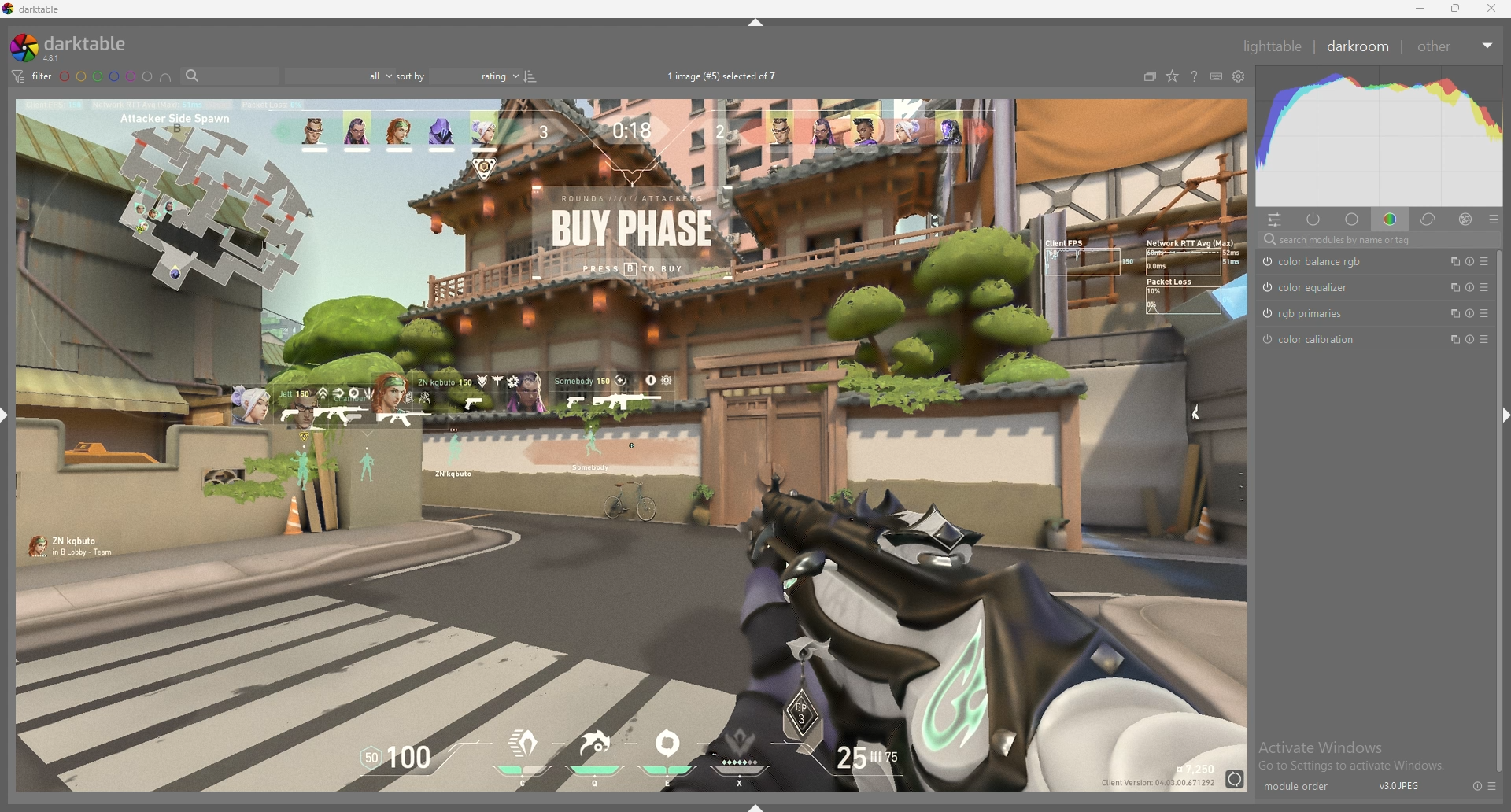 This screenshot has height=812, width=1511. I want to click on filter by text, so click(230, 76).